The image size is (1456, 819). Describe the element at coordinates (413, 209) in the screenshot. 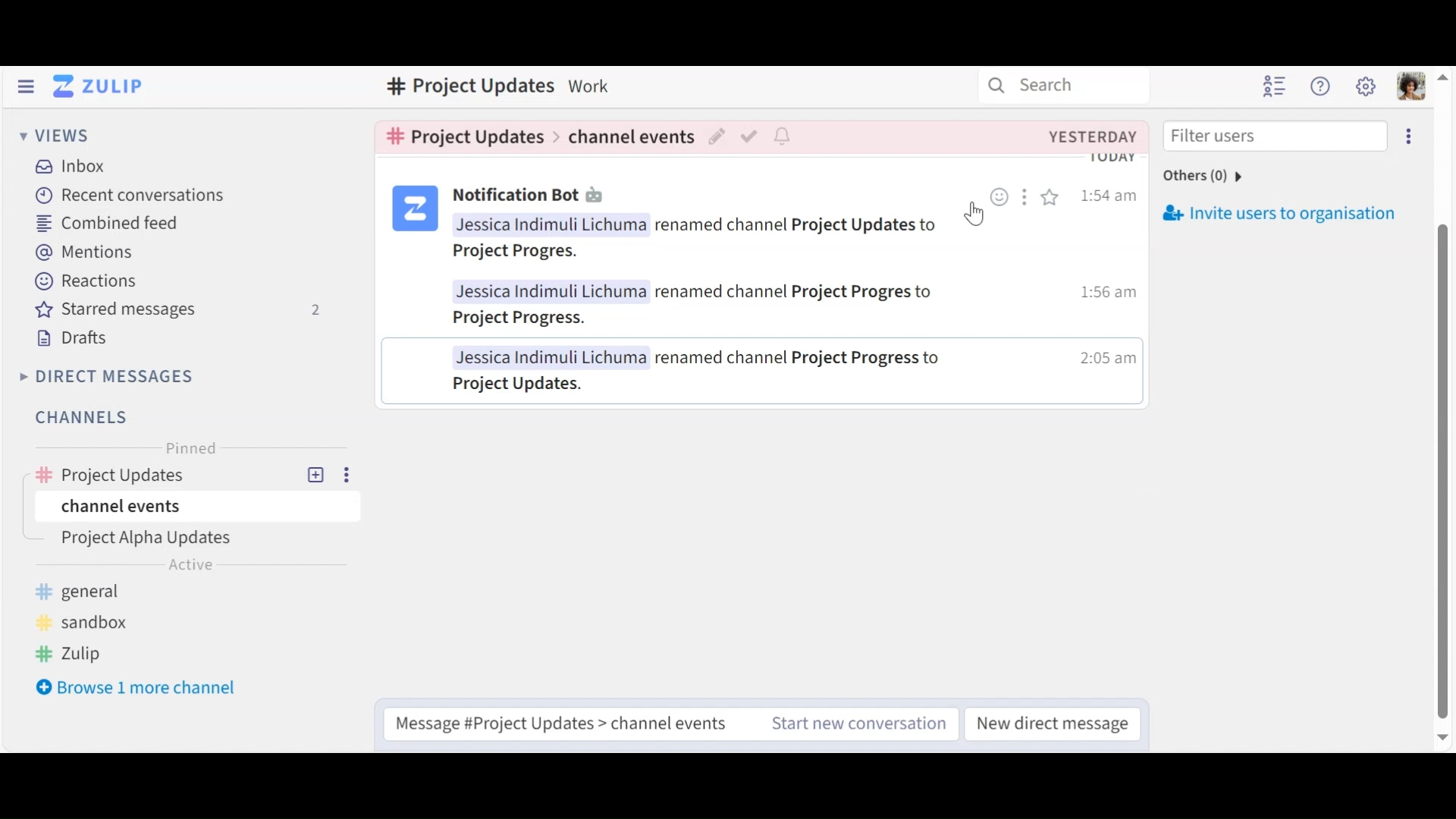

I see `user card` at that location.